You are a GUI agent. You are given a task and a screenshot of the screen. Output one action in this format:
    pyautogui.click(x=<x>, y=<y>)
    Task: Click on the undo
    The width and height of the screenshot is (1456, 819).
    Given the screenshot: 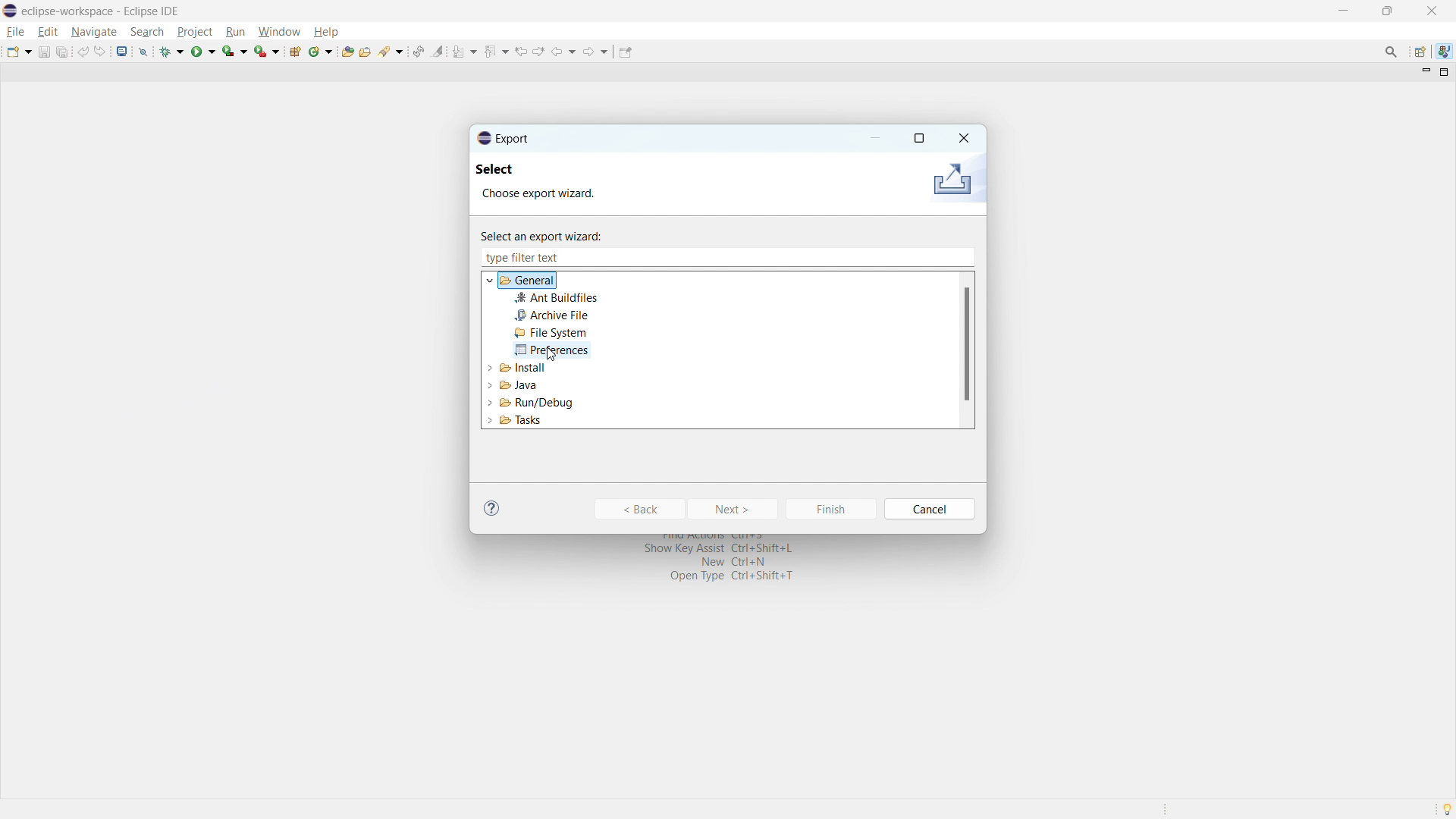 What is the action you would take?
    pyautogui.click(x=83, y=52)
    